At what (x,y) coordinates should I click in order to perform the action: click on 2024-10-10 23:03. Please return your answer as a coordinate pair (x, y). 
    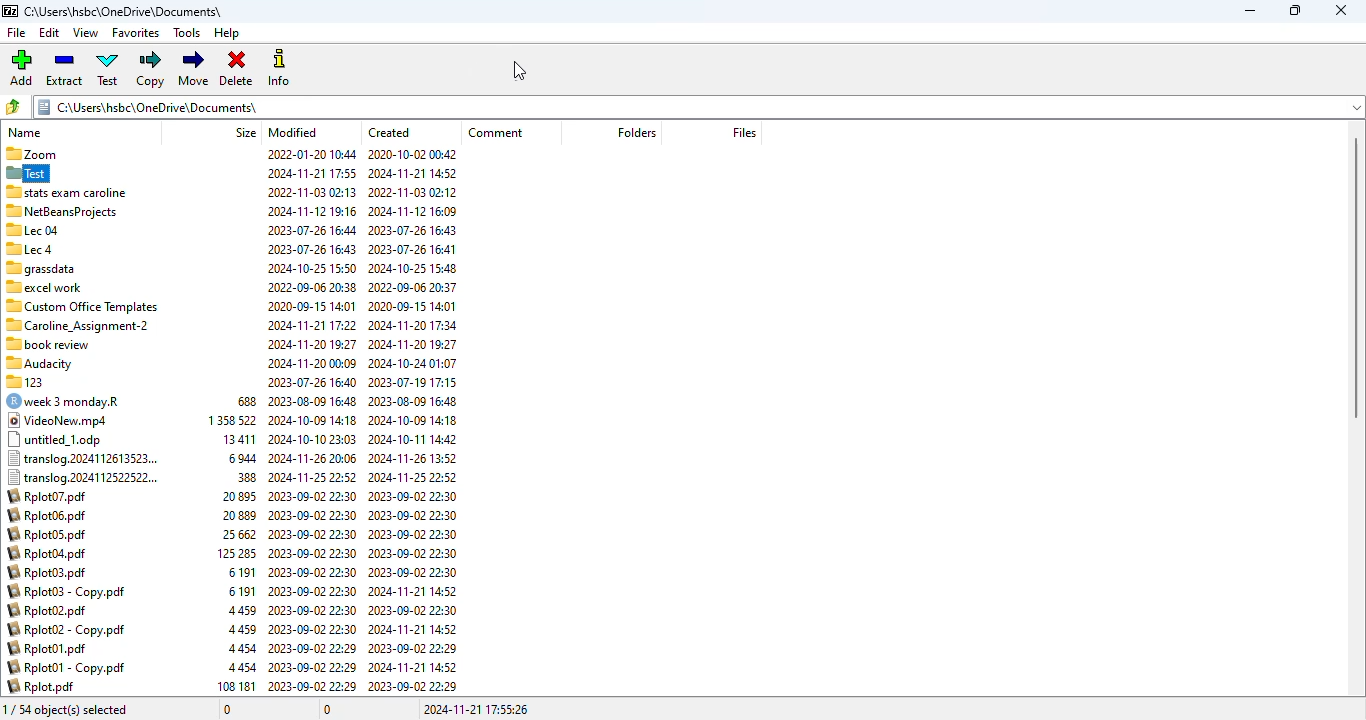
    Looking at the image, I should click on (313, 439).